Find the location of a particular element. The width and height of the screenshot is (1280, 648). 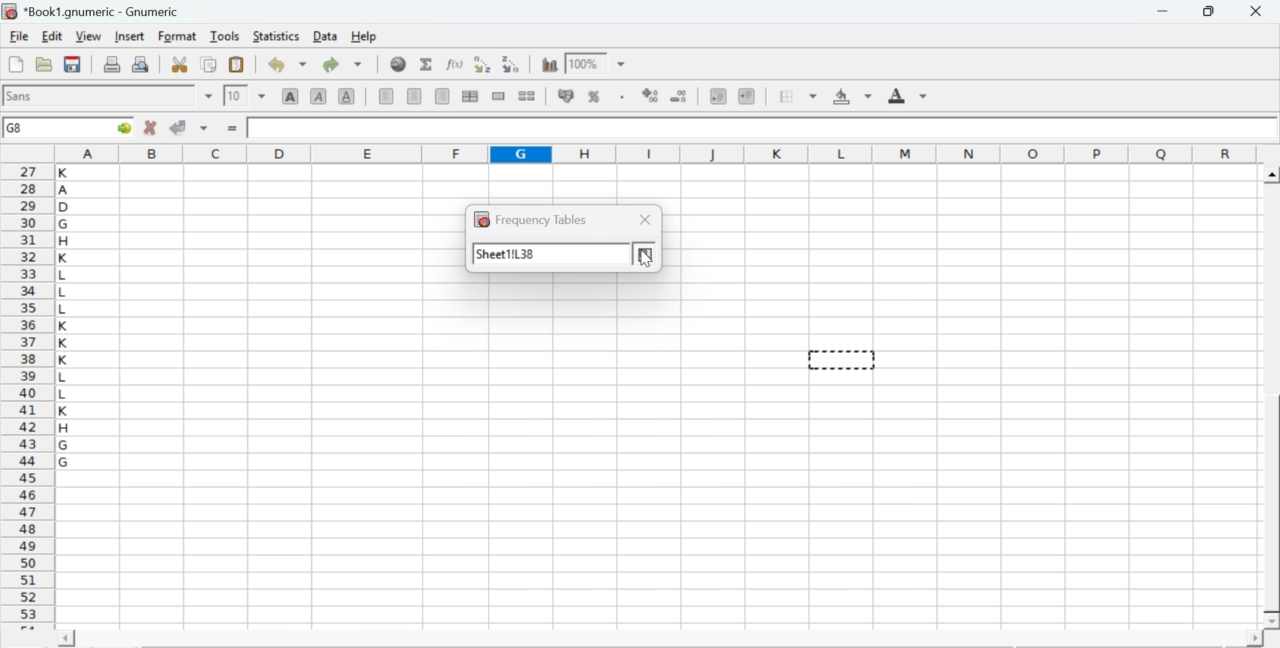

insert chart is located at coordinates (550, 63).